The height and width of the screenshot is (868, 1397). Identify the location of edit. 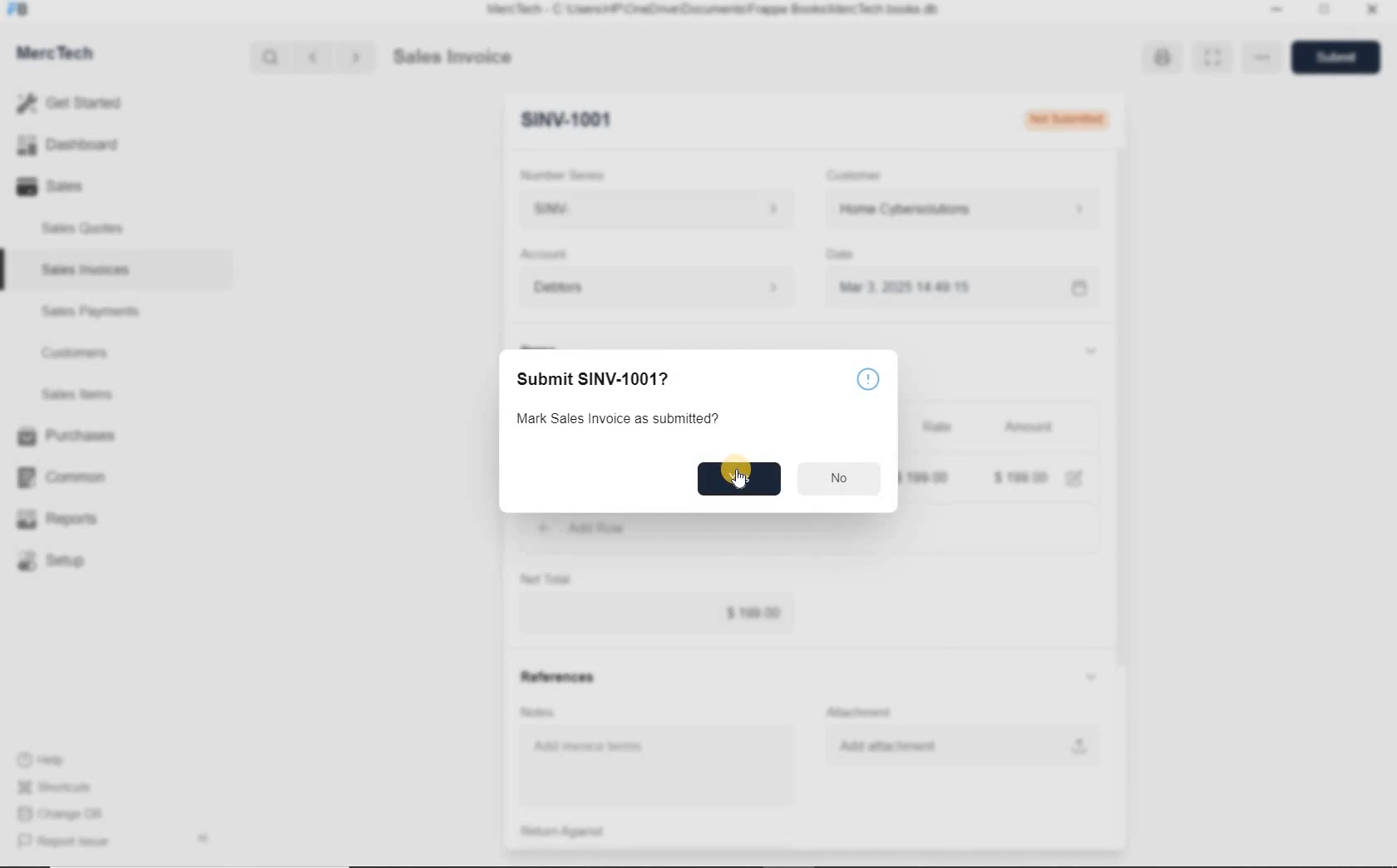
(1074, 478).